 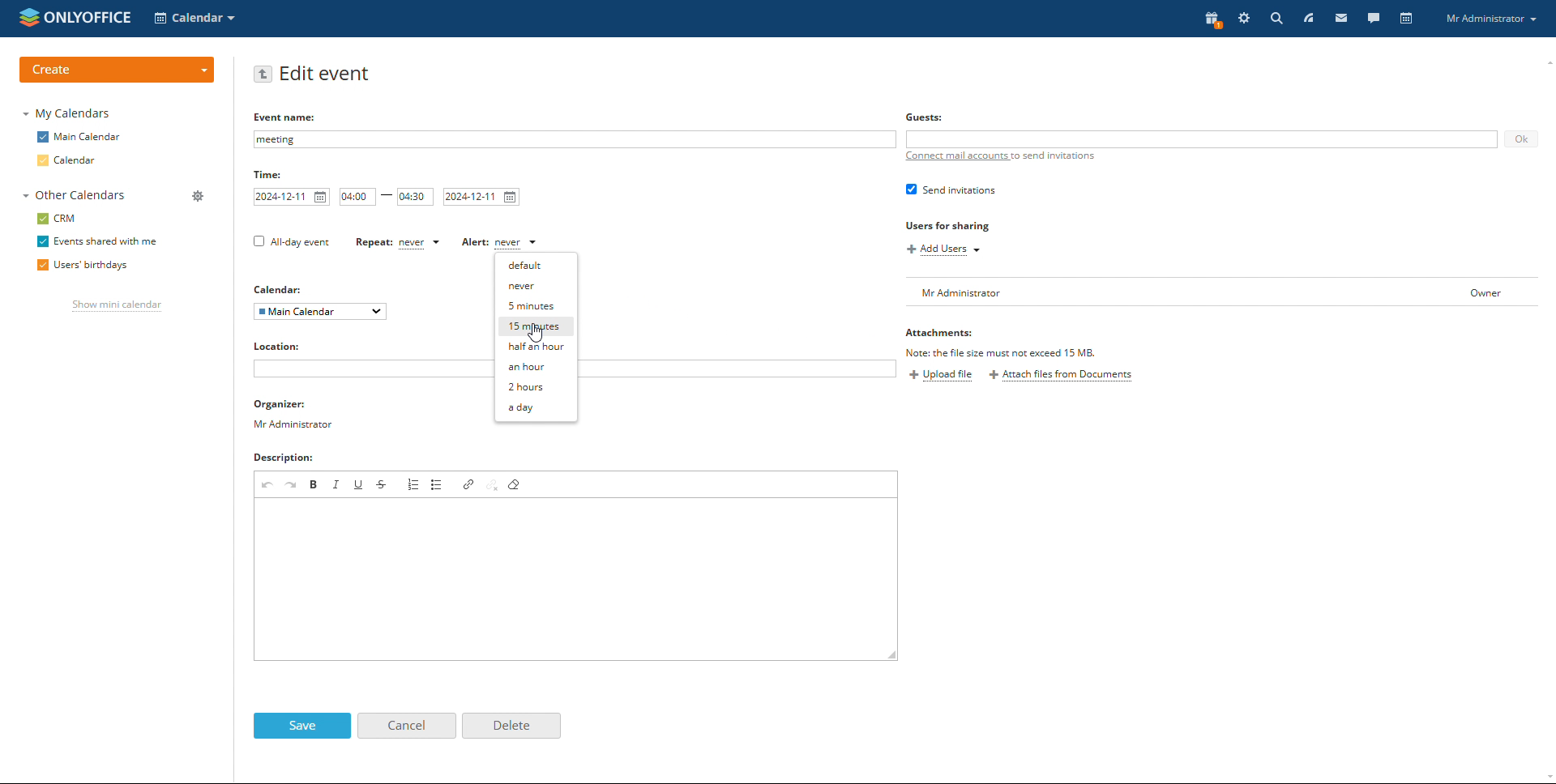 What do you see at coordinates (540, 286) in the screenshot?
I see `never` at bounding box center [540, 286].